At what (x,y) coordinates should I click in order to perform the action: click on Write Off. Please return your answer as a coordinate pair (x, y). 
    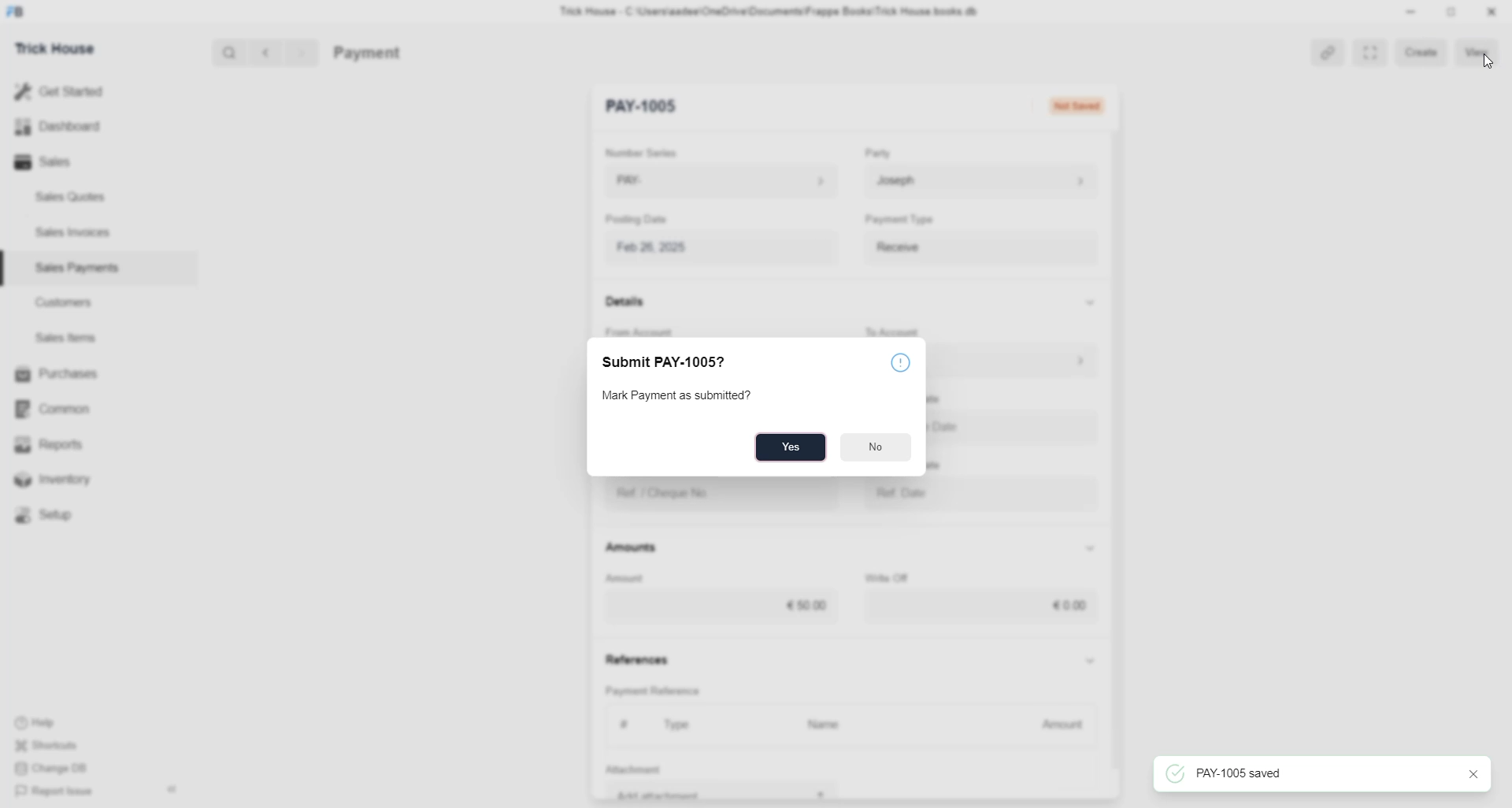
    Looking at the image, I should click on (885, 578).